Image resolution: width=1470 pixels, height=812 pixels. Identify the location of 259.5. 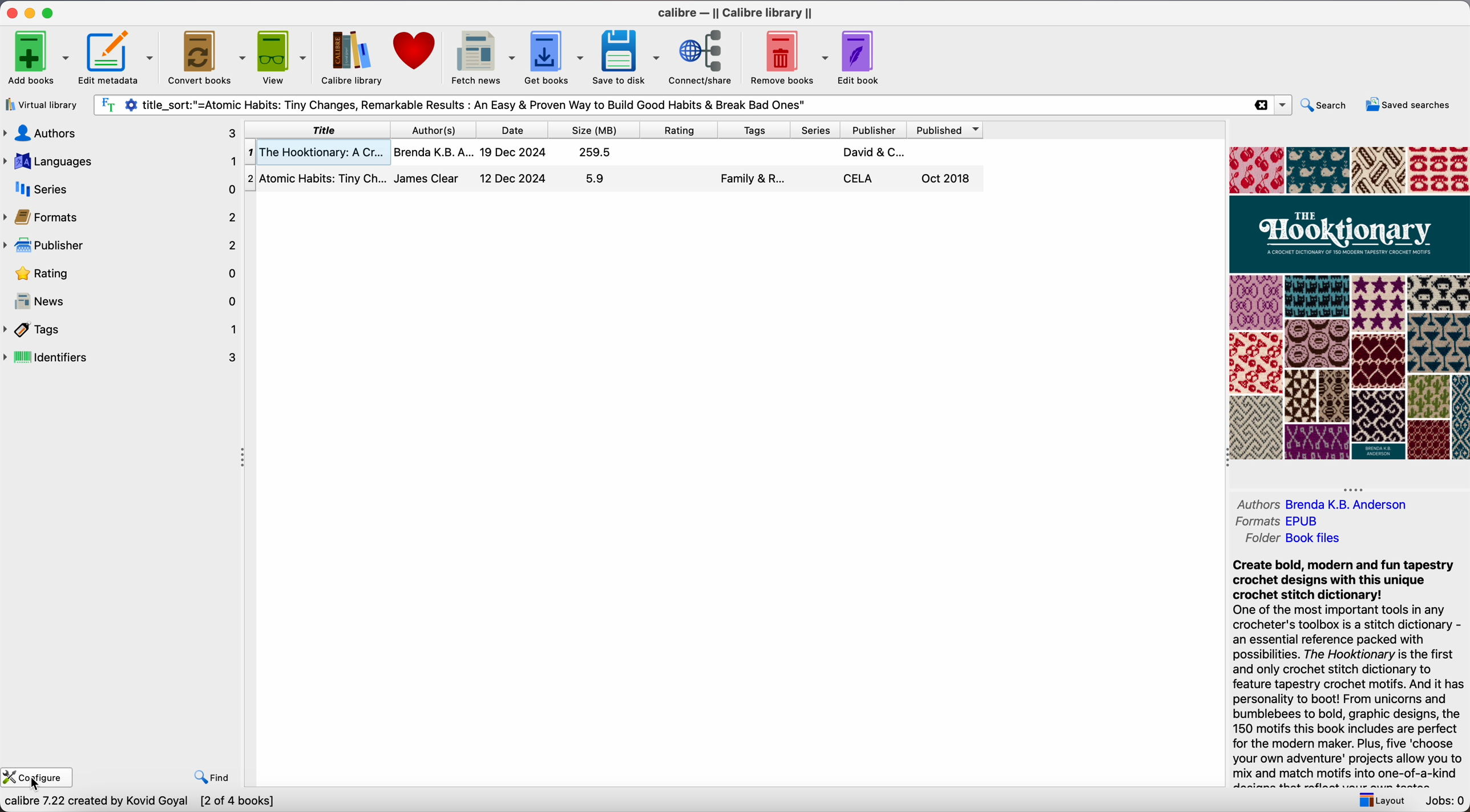
(597, 152).